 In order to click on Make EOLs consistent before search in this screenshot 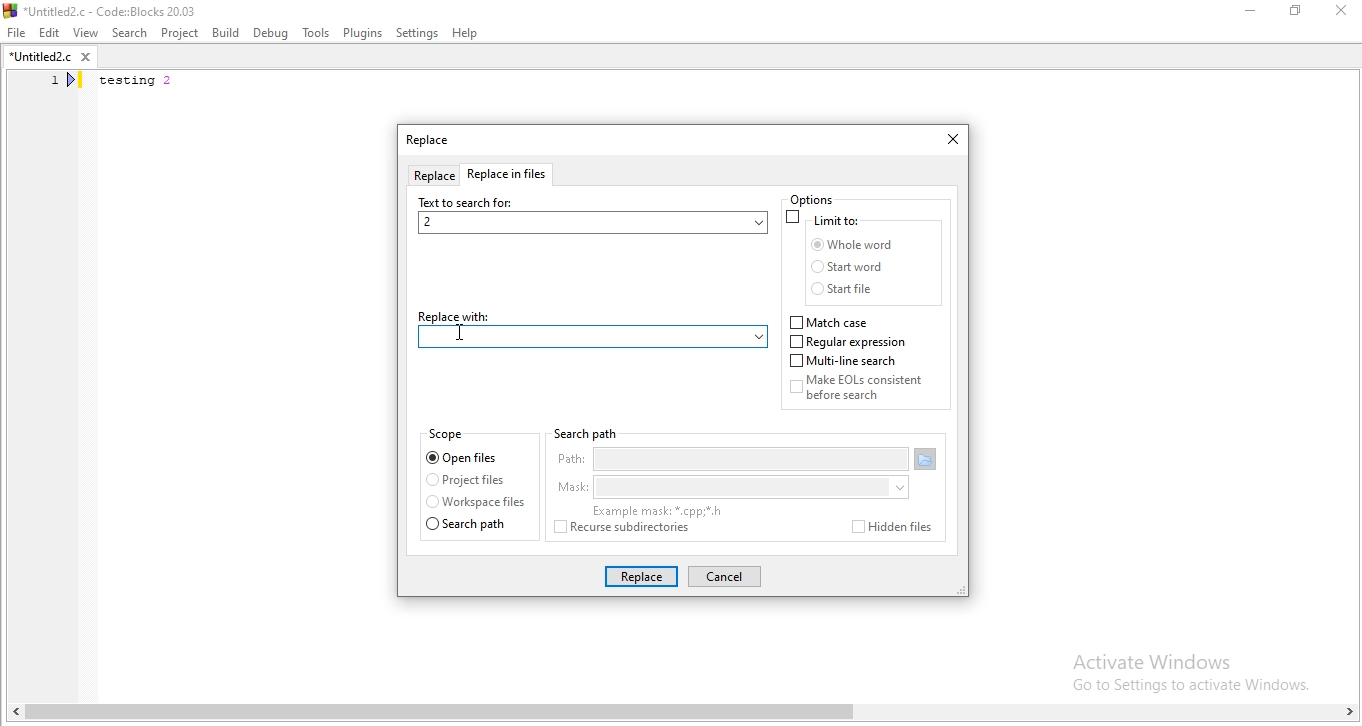, I will do `click(870, 392)`.